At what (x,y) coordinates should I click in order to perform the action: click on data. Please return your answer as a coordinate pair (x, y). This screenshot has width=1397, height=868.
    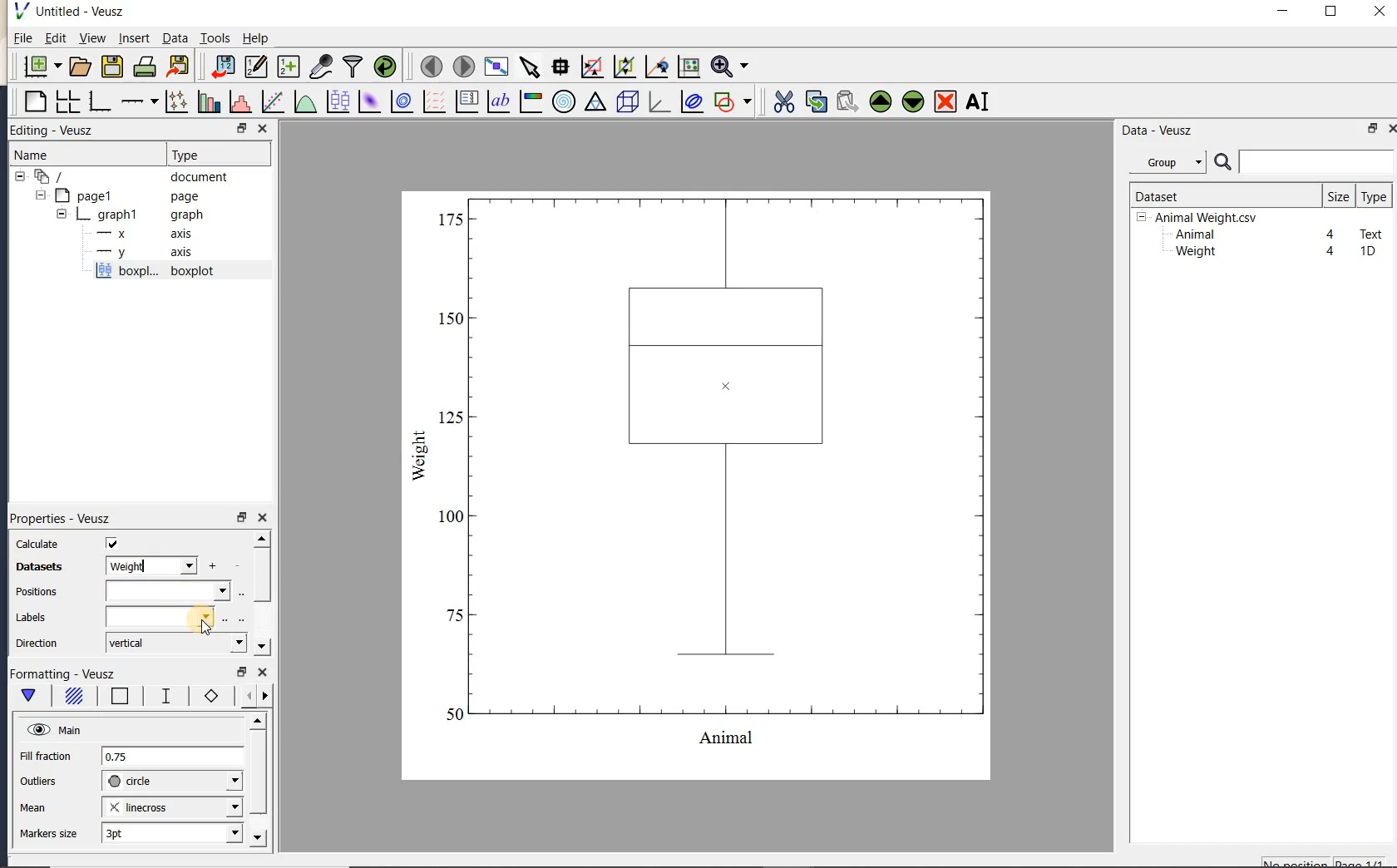
    Looking at the image, I should click on (150, 565).